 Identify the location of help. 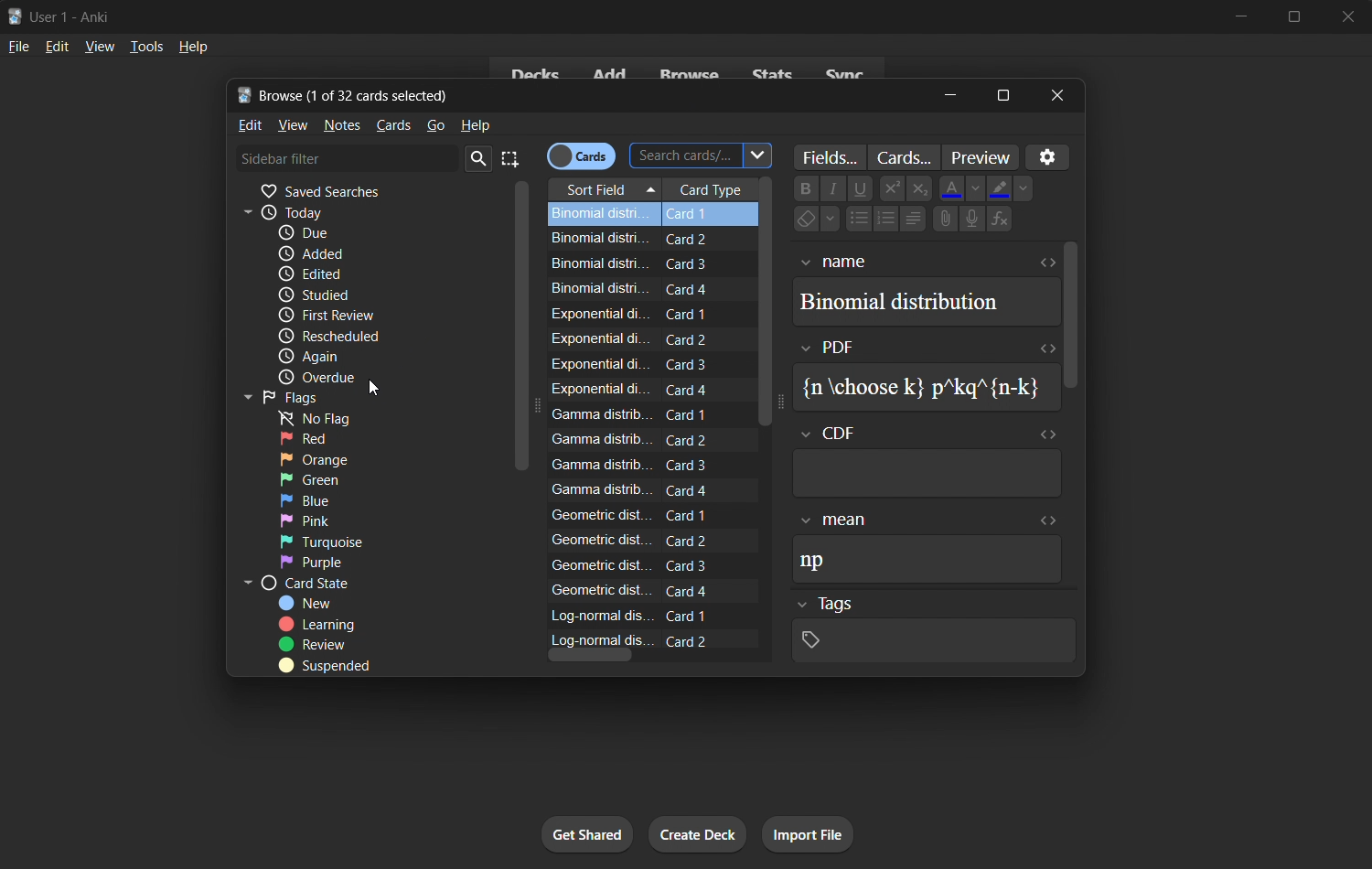
(478, 126).